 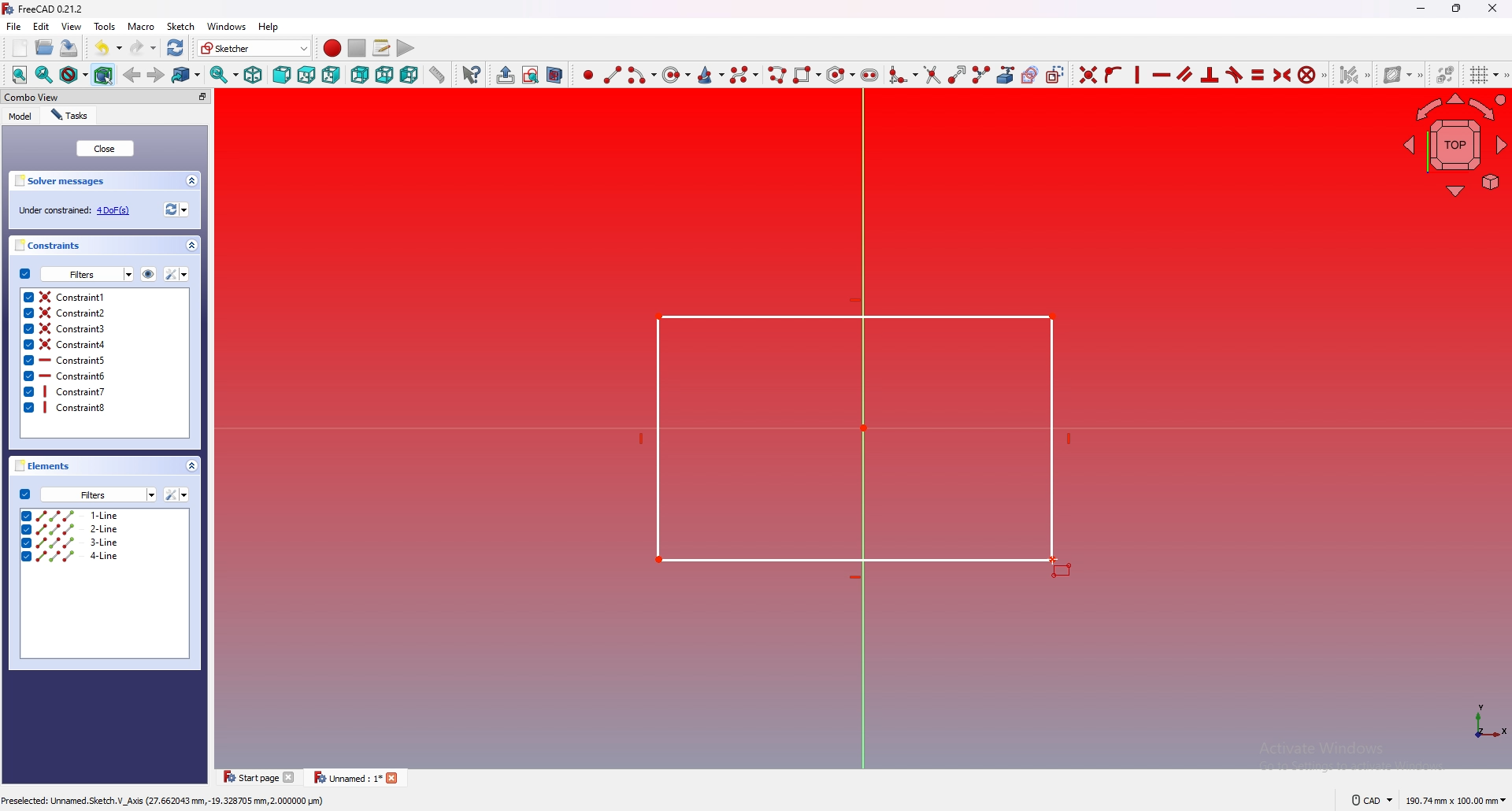 I want to click on constraint 6, so click(x=103, y=376).